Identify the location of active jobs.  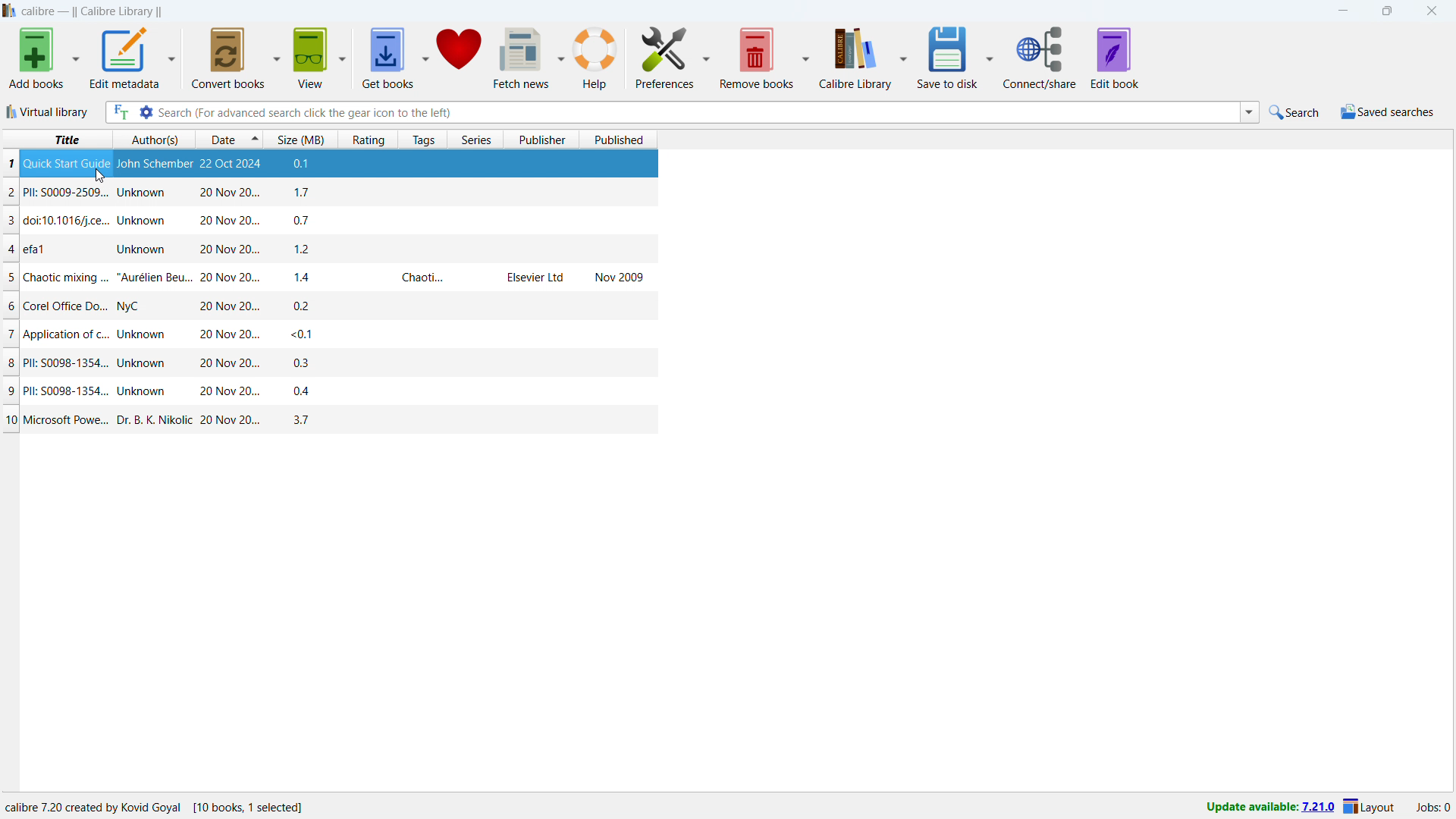
(1432, 808).